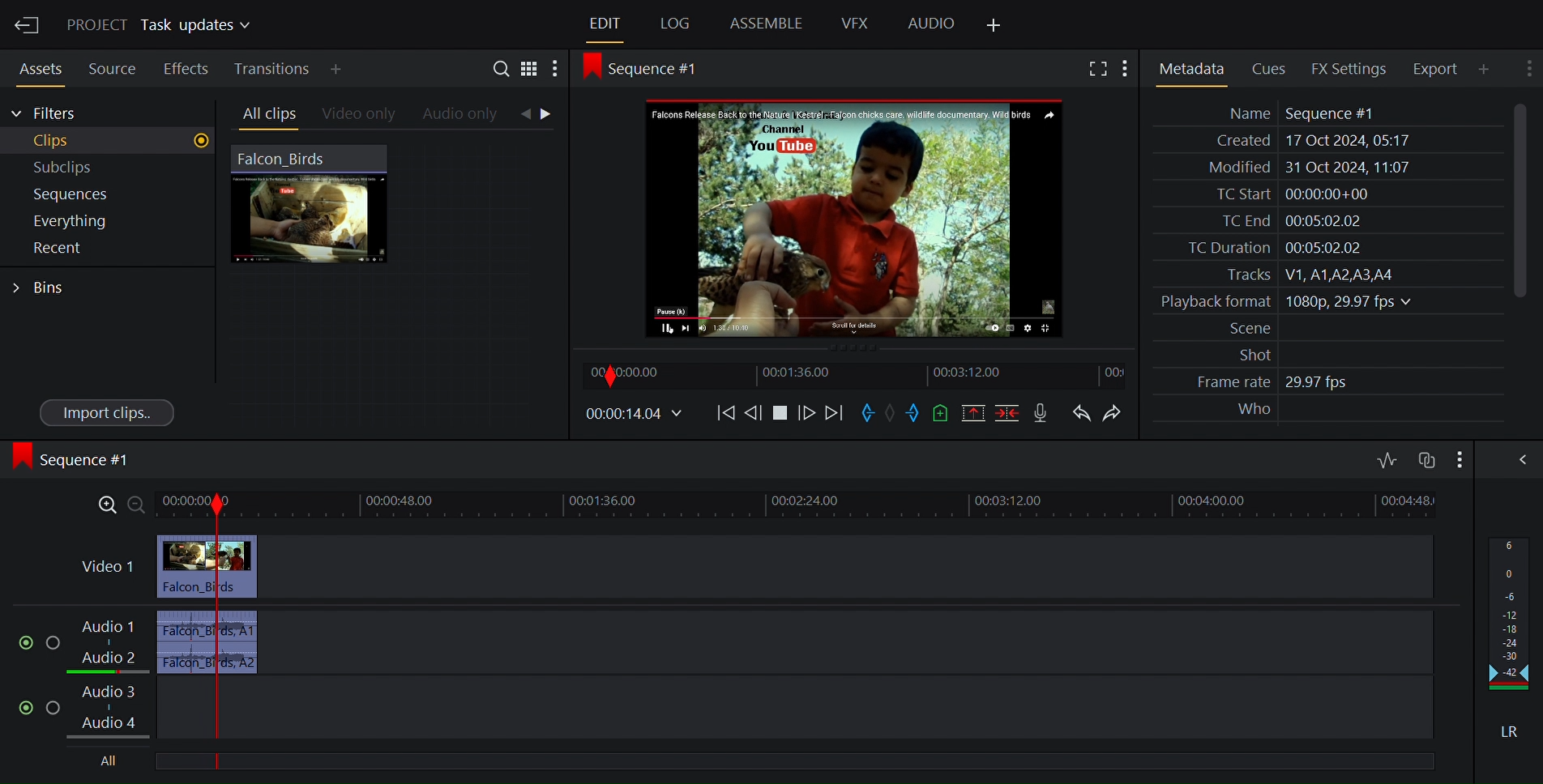  Describe the element at coordinates (500, 66) in the screenshot. I see `Search in assets and bins` at that location.